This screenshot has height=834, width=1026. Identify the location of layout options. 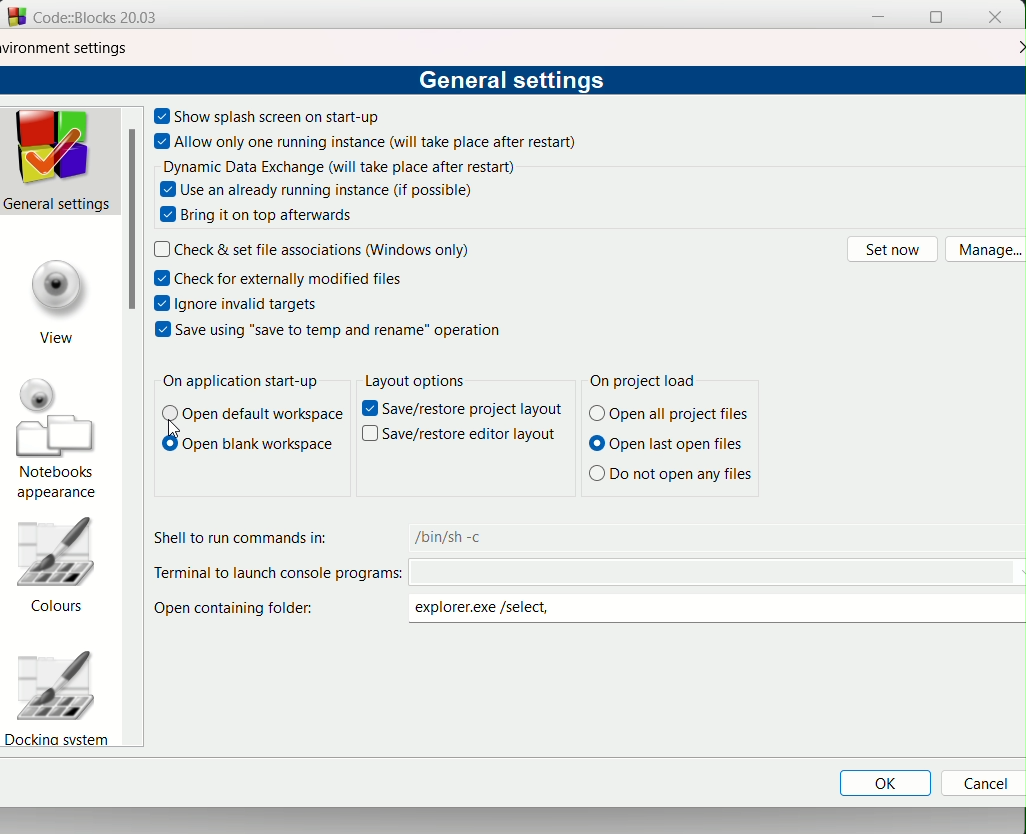
(413, 382).